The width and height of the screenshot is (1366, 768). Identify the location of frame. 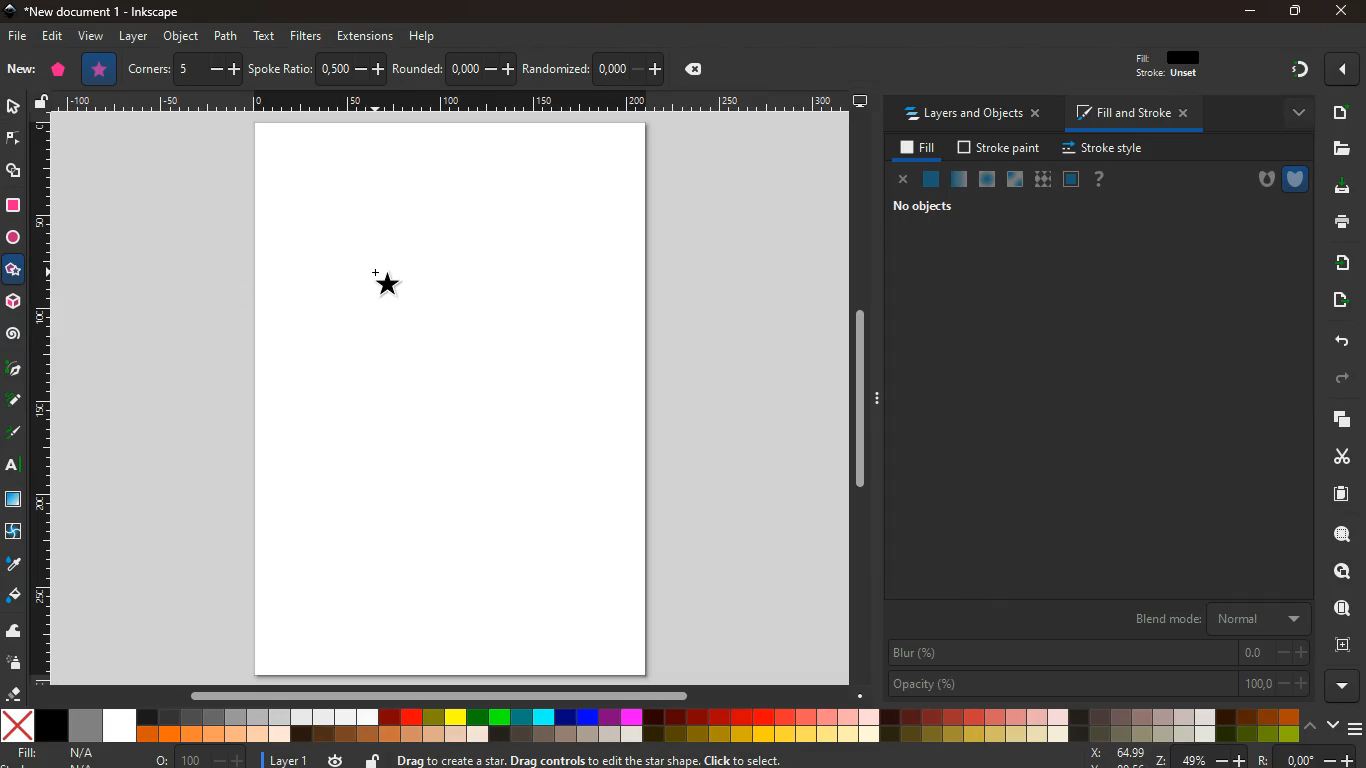
(1343, 646).